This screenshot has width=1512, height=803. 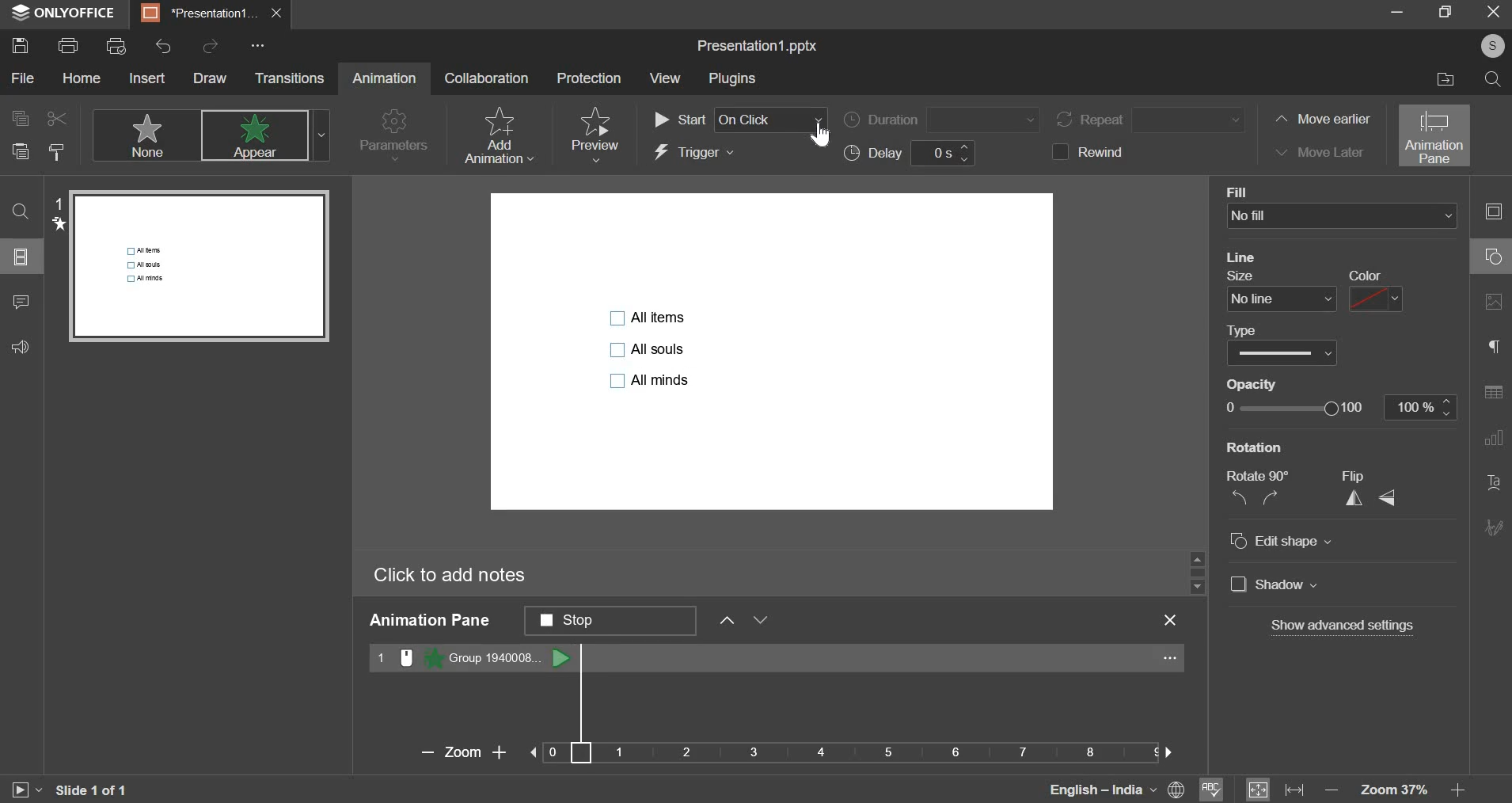 What do you see at coordinates (1370, 497) in the screenshot?
I see `flip` at bounding box center [1370, 497].